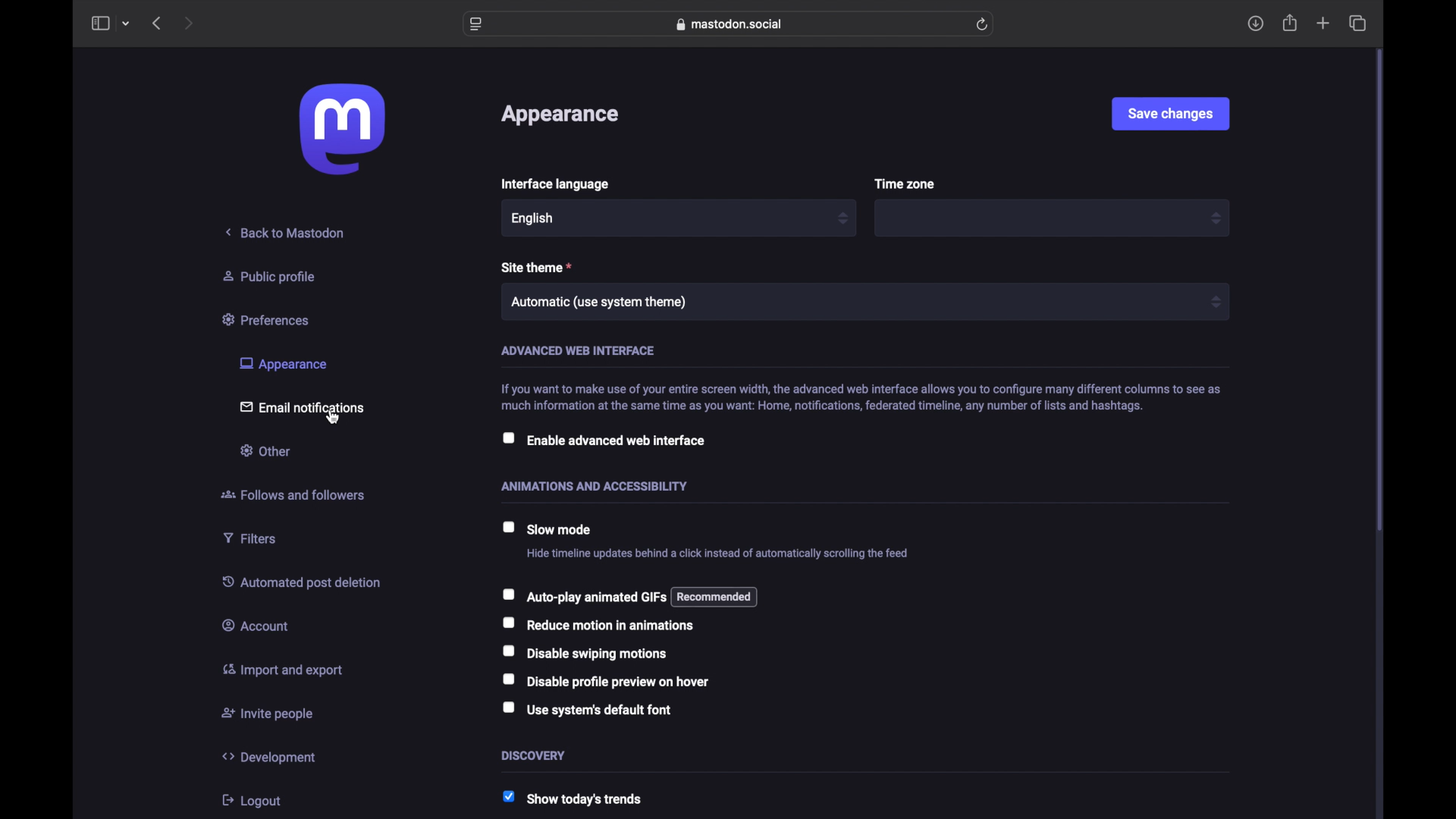 This screenshot has height=819, width=1456. Describe the element at coordinates (126, 24) in the screenshot. I see `tab group picker` at that location.